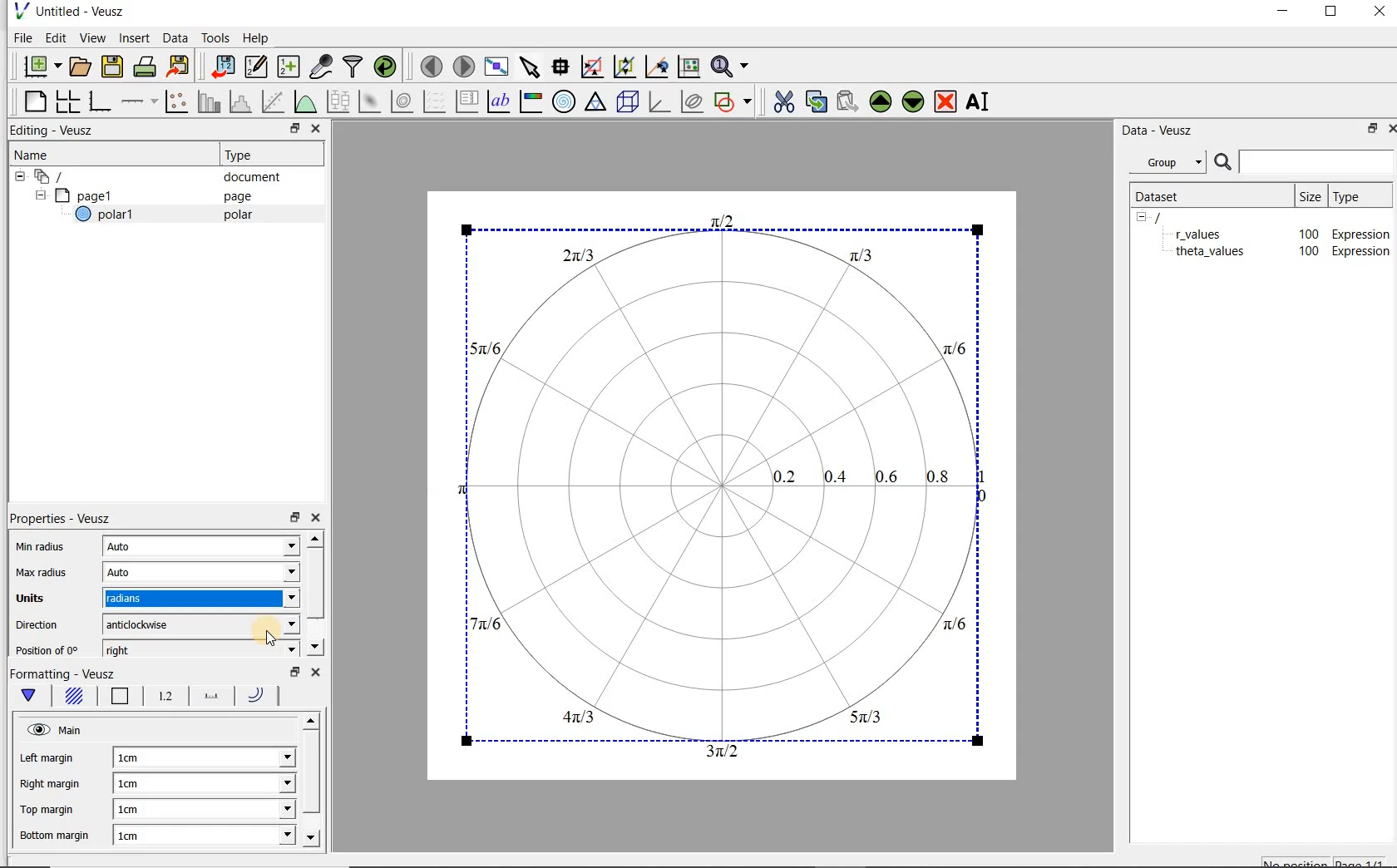 Image resolution: width=1397 pixels, height=868 pixels. Describe the element at coordinates (1365, 251) in the screenshot. I see `Expression` at that location.